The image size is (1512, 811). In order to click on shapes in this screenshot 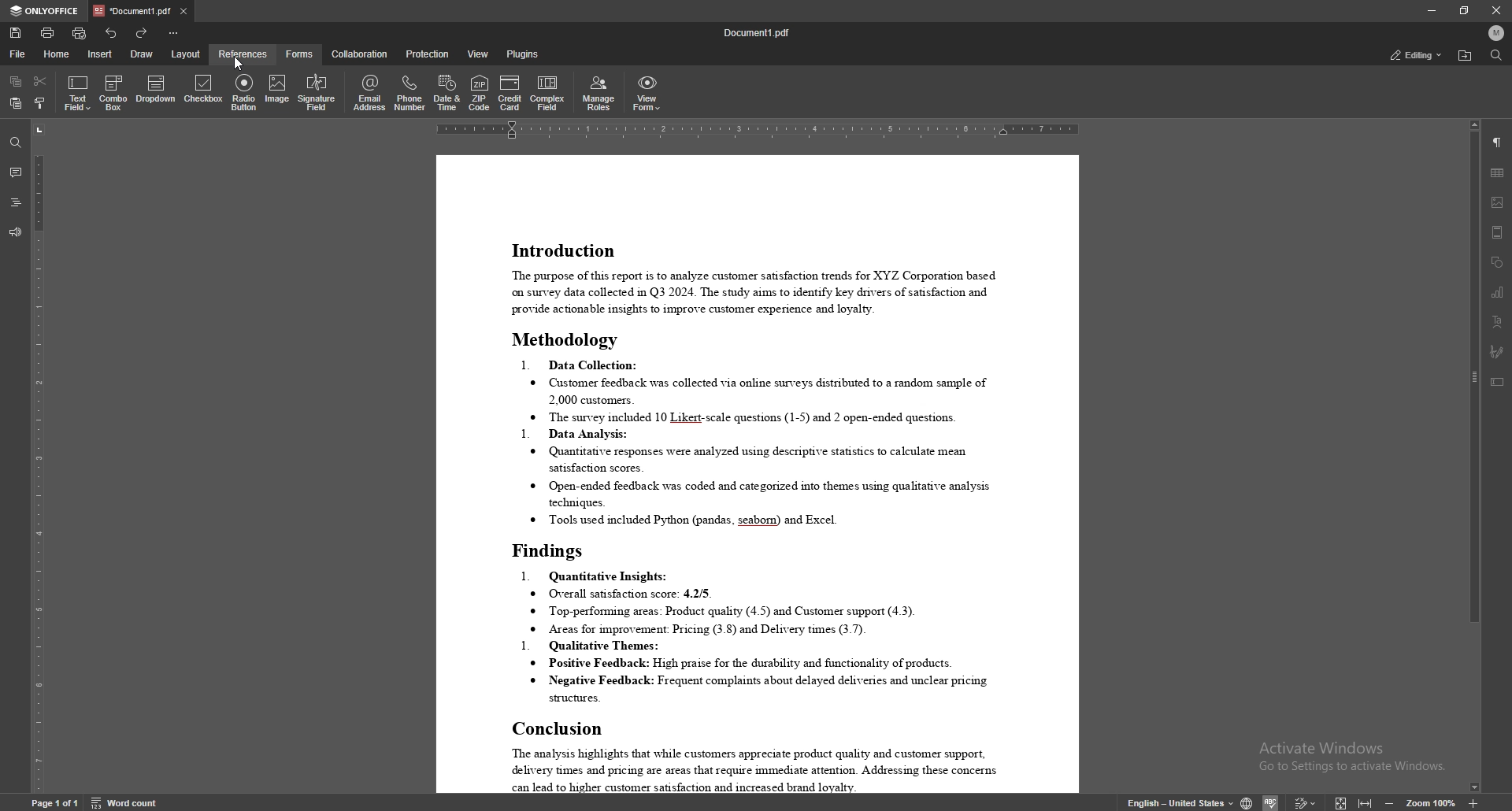, I will do `click(1496, 261)`.